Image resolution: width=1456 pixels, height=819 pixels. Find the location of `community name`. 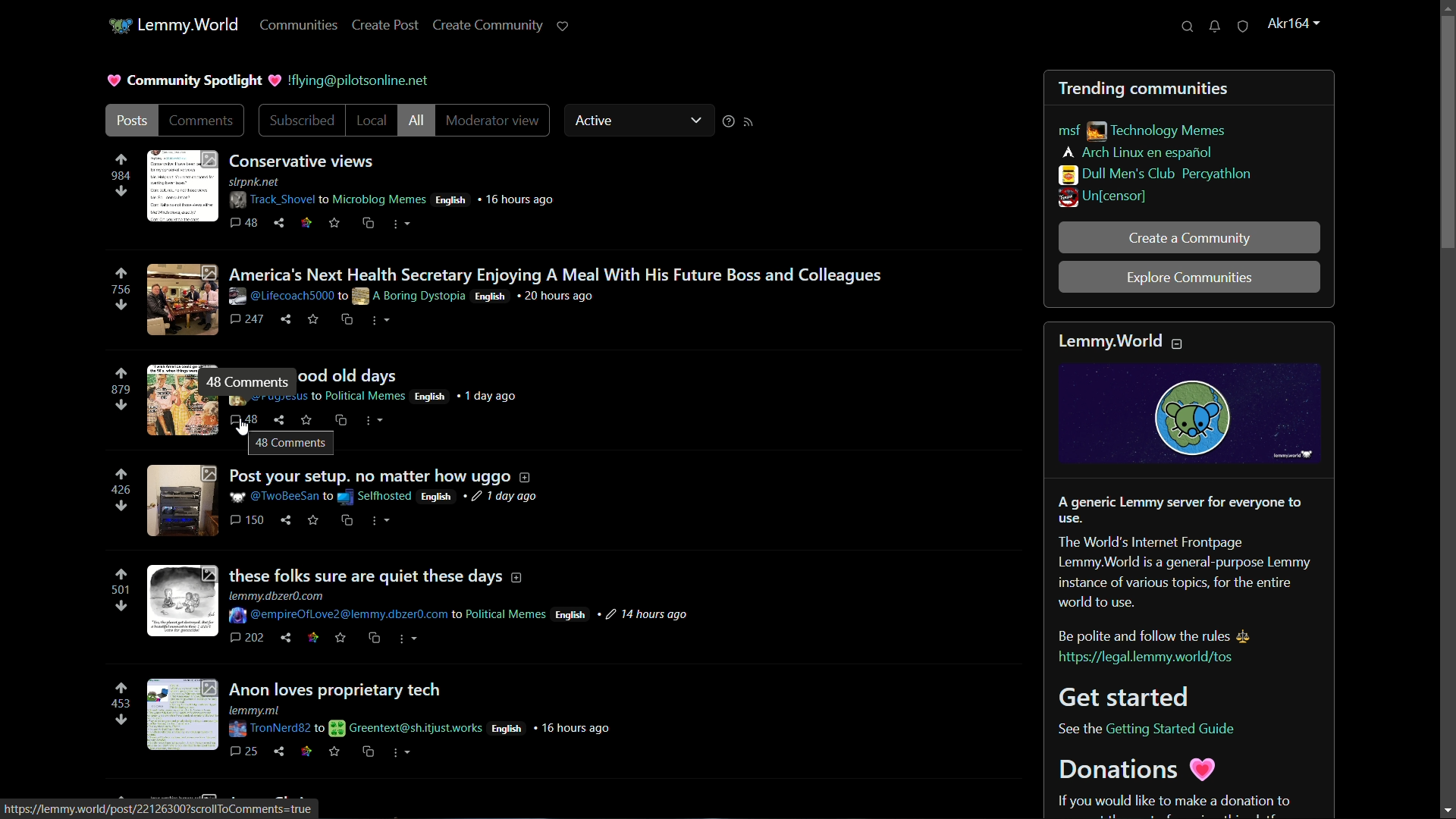

community name is located at coordinates (1153, 174).